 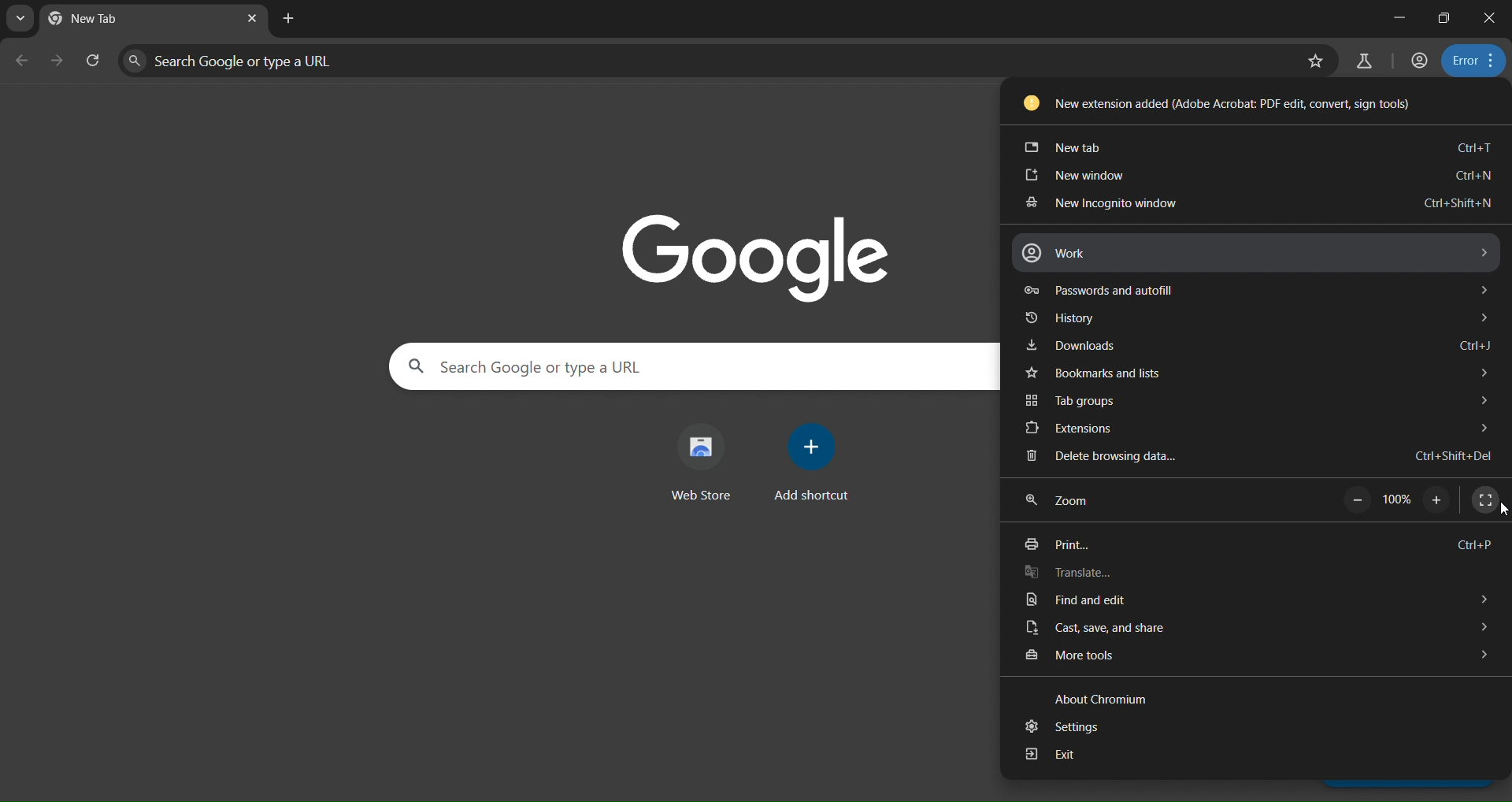 What do you see at coordinates (1473, 58) in the screenshot?
I see `menu` at bounding box center [1473, 58].